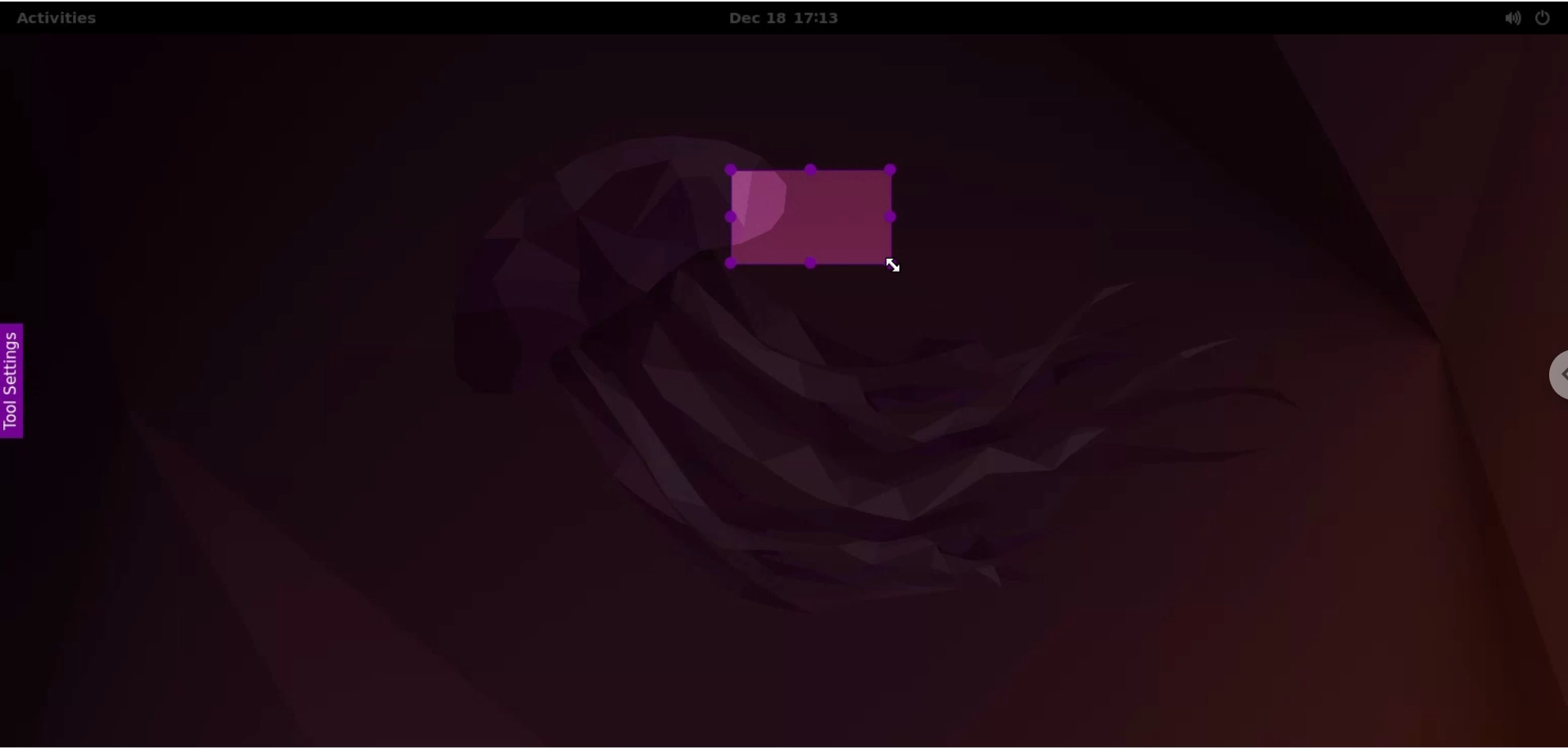 The image size is (1568, 748). What do you see at coordinates (1552, 376) in the screenshot?
I see `chrome settings` at bounding box center [1552, 376].